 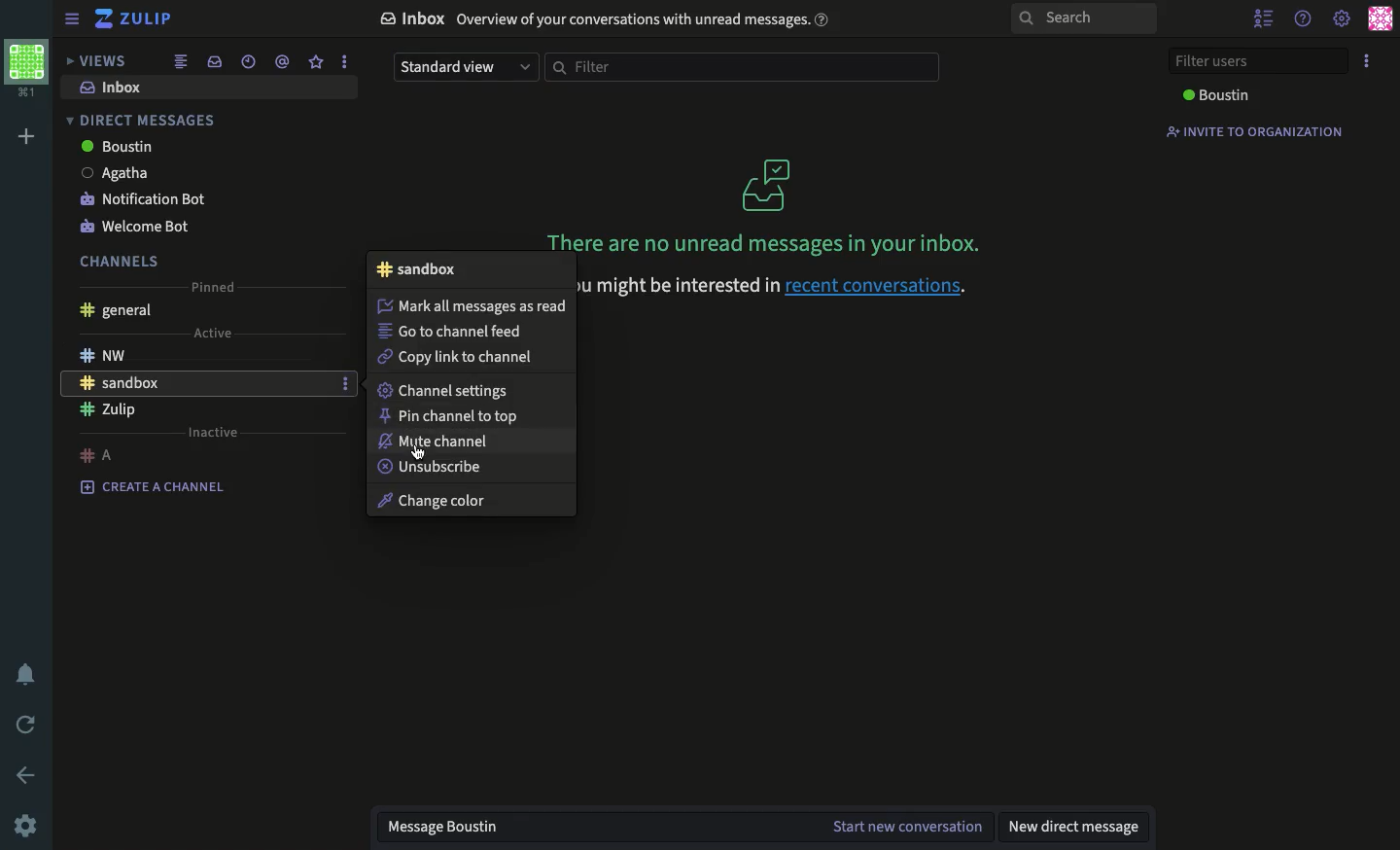 What do you see at coordinates (23, 136) in the screenshot?
I see `add workspace` at bounding box center [23, 136].